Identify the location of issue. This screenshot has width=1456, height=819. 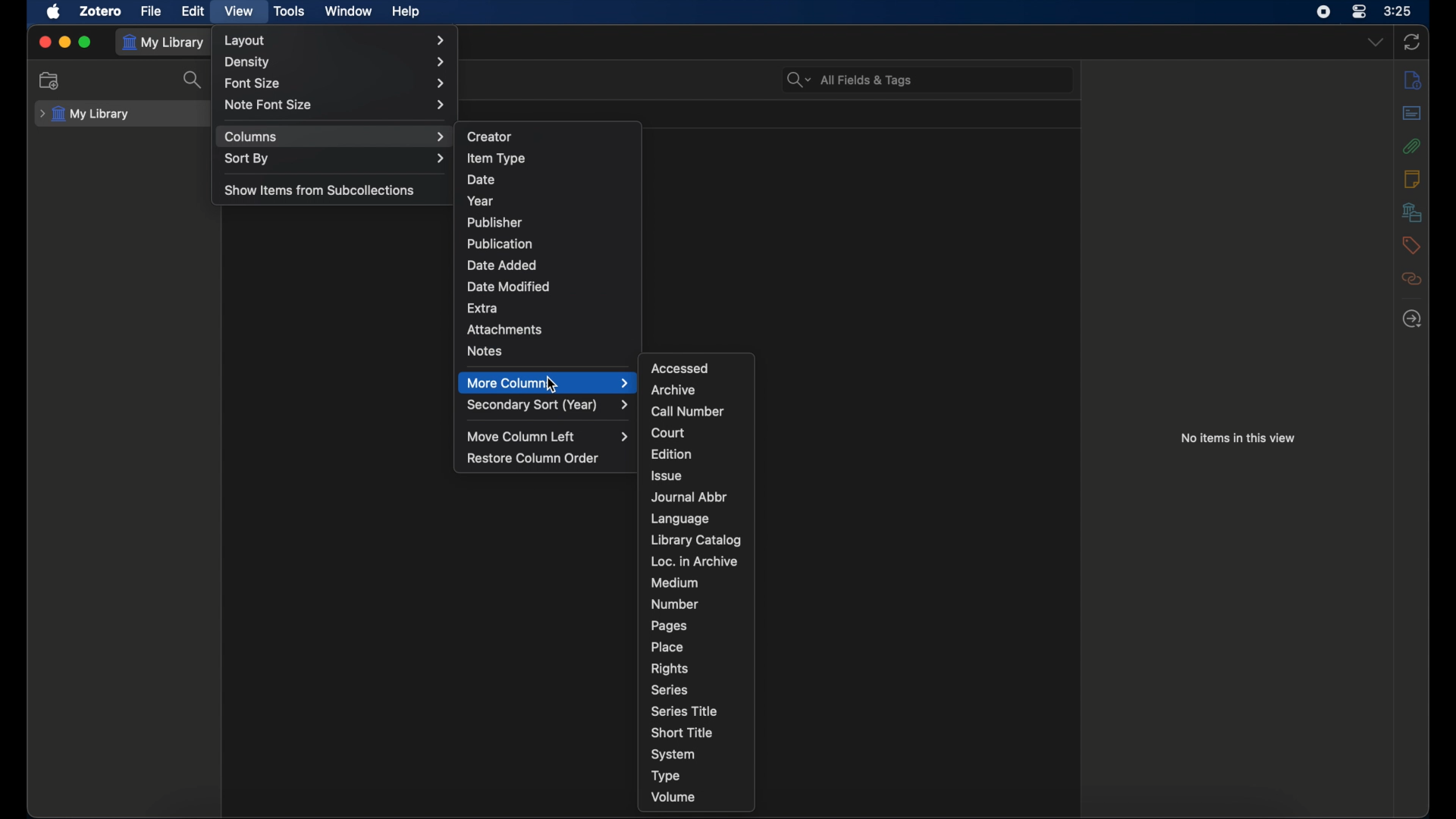
(668, 476).